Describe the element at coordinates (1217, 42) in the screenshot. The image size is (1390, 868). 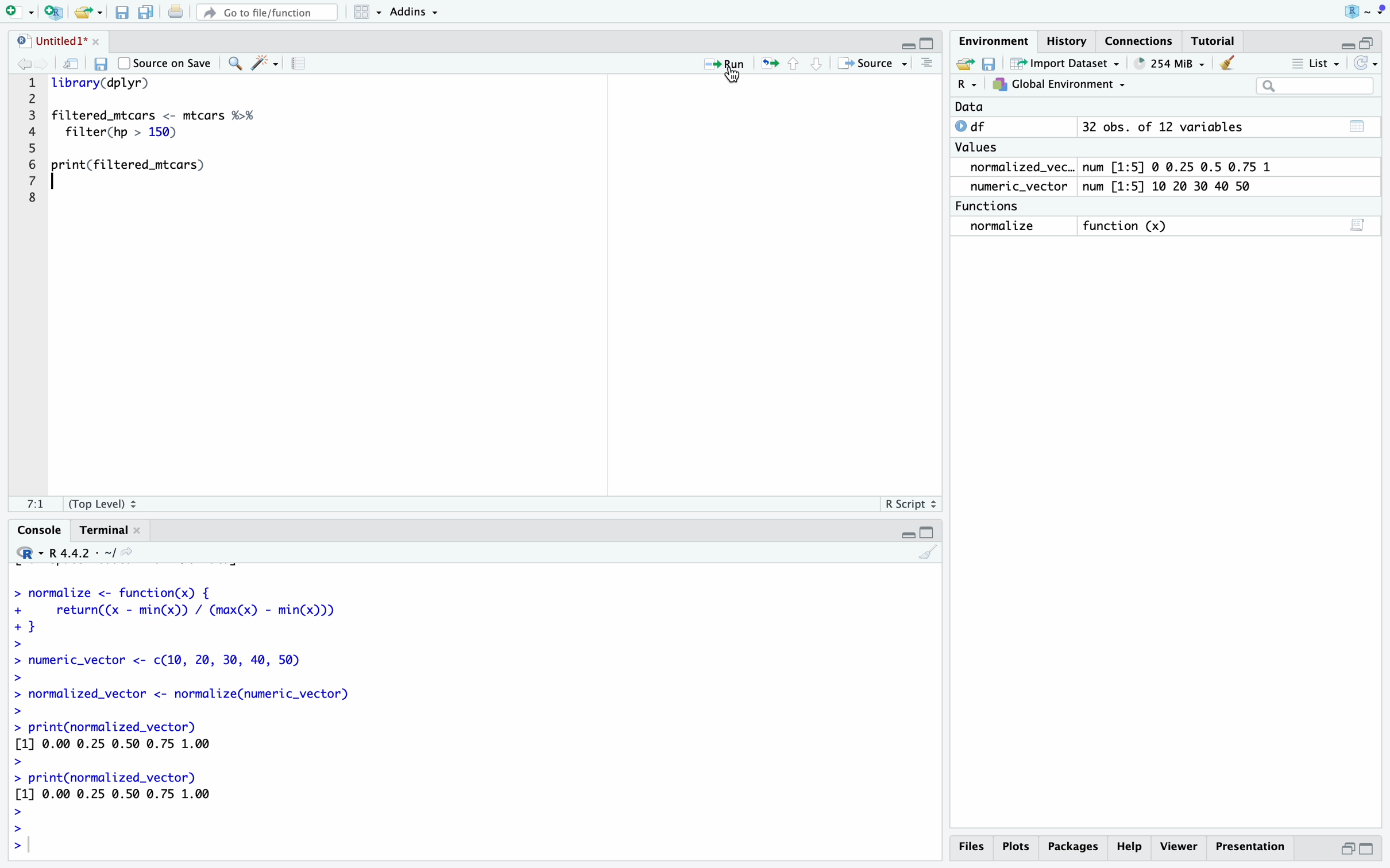
I see `Tutorial` at that location.